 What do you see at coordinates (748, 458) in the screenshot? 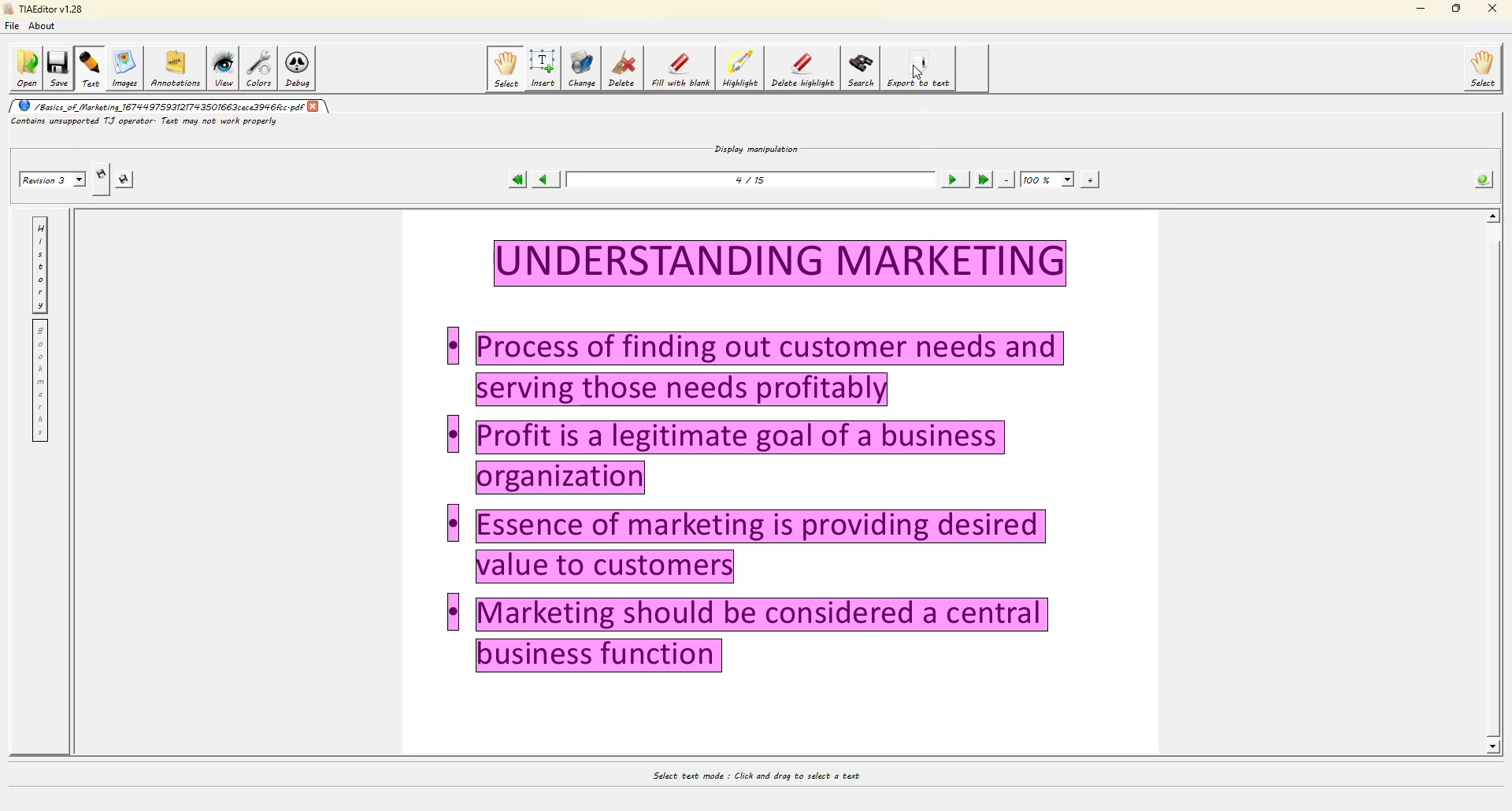
I see `` at bounding box center [748, 458].